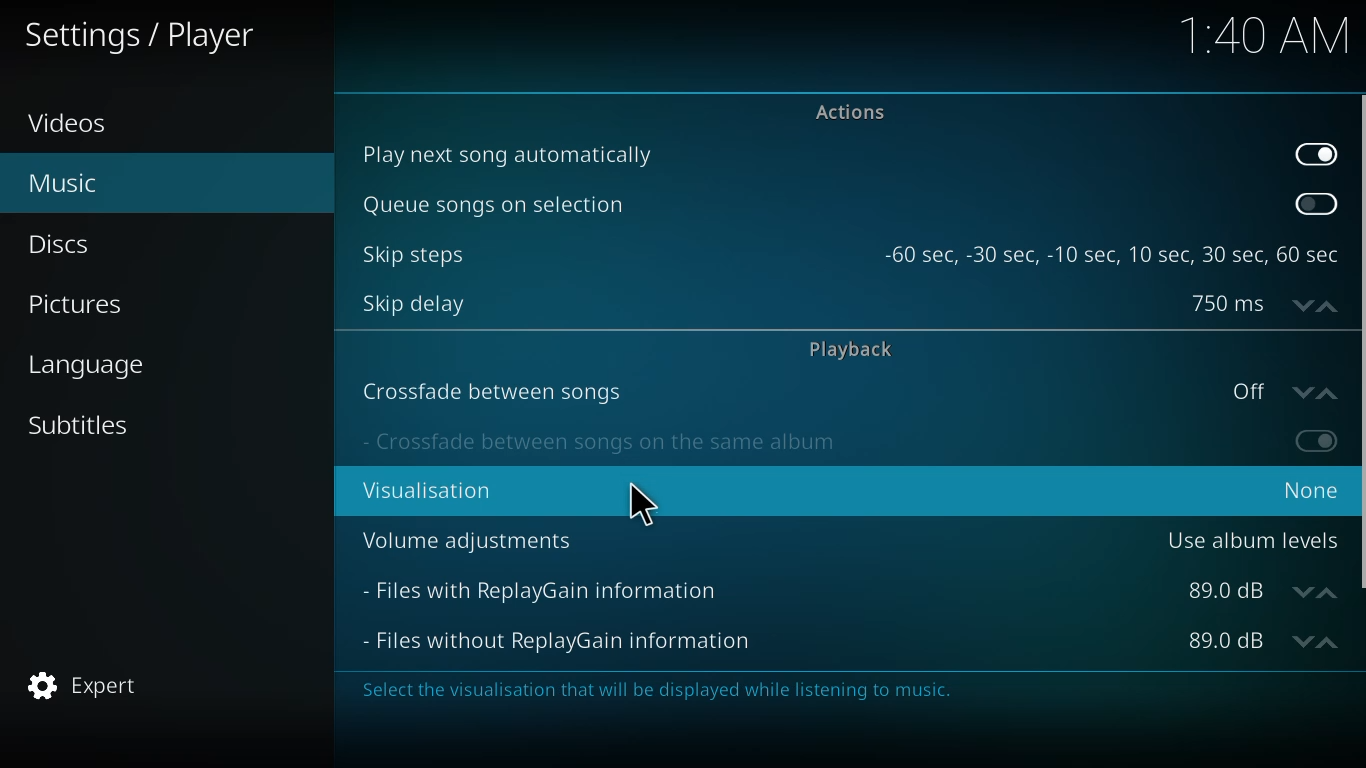 The image size is (1366, 768). I want to click on db, so click(1263, 641).